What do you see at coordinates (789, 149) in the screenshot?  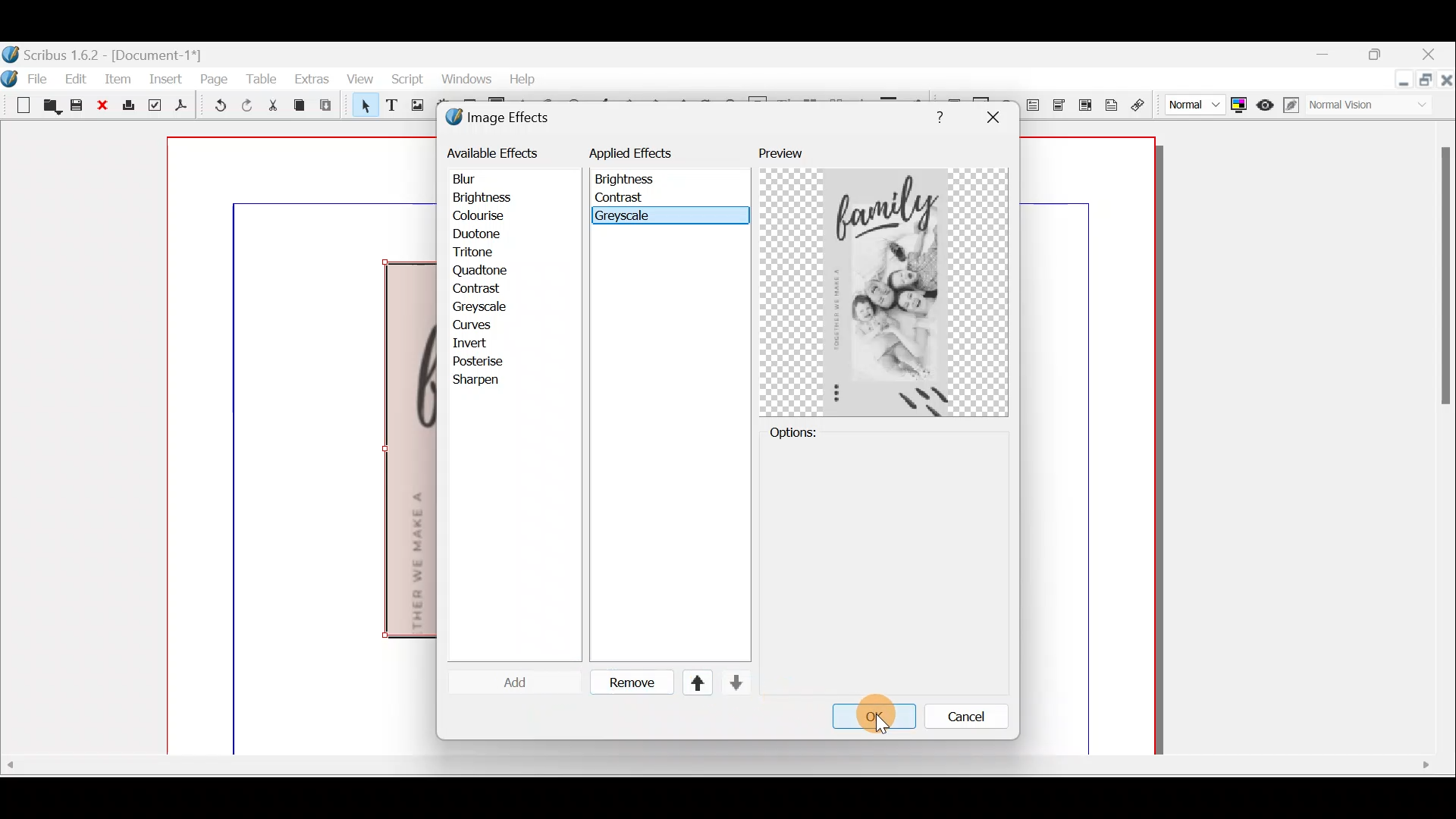 I see `Preview` at bounding box center [789, 149].